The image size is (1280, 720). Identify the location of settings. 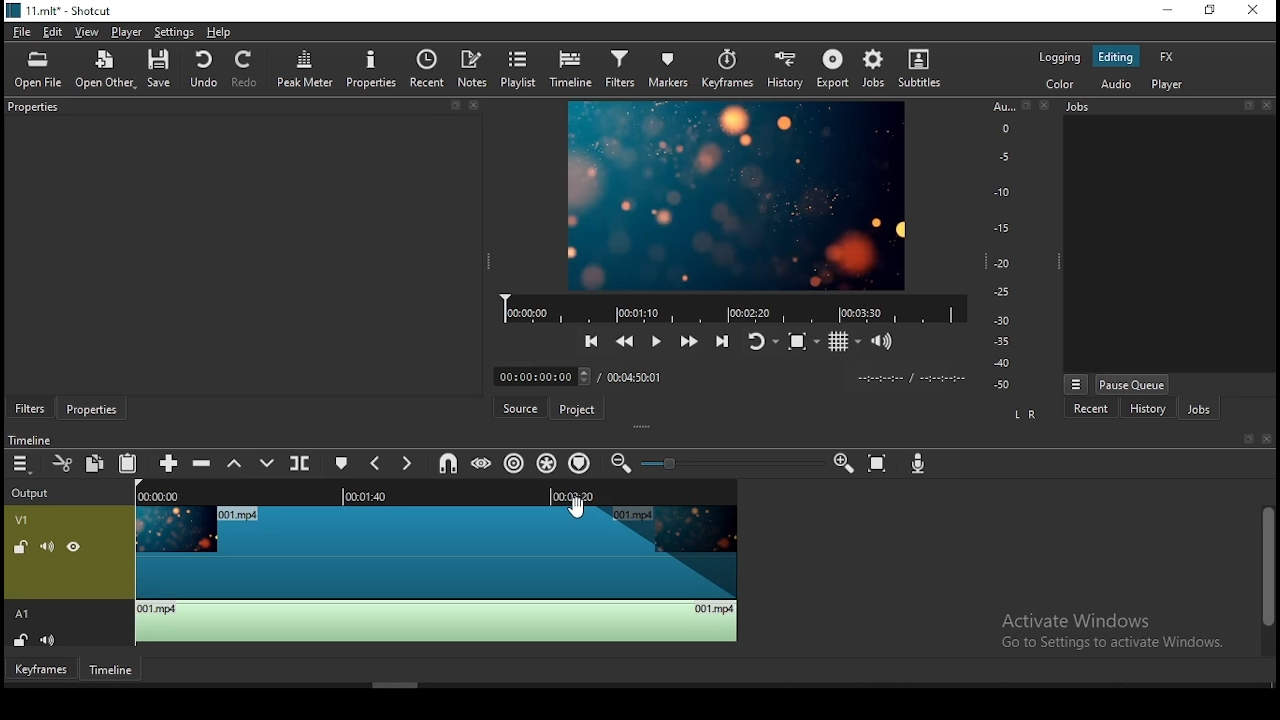
(174, 31).